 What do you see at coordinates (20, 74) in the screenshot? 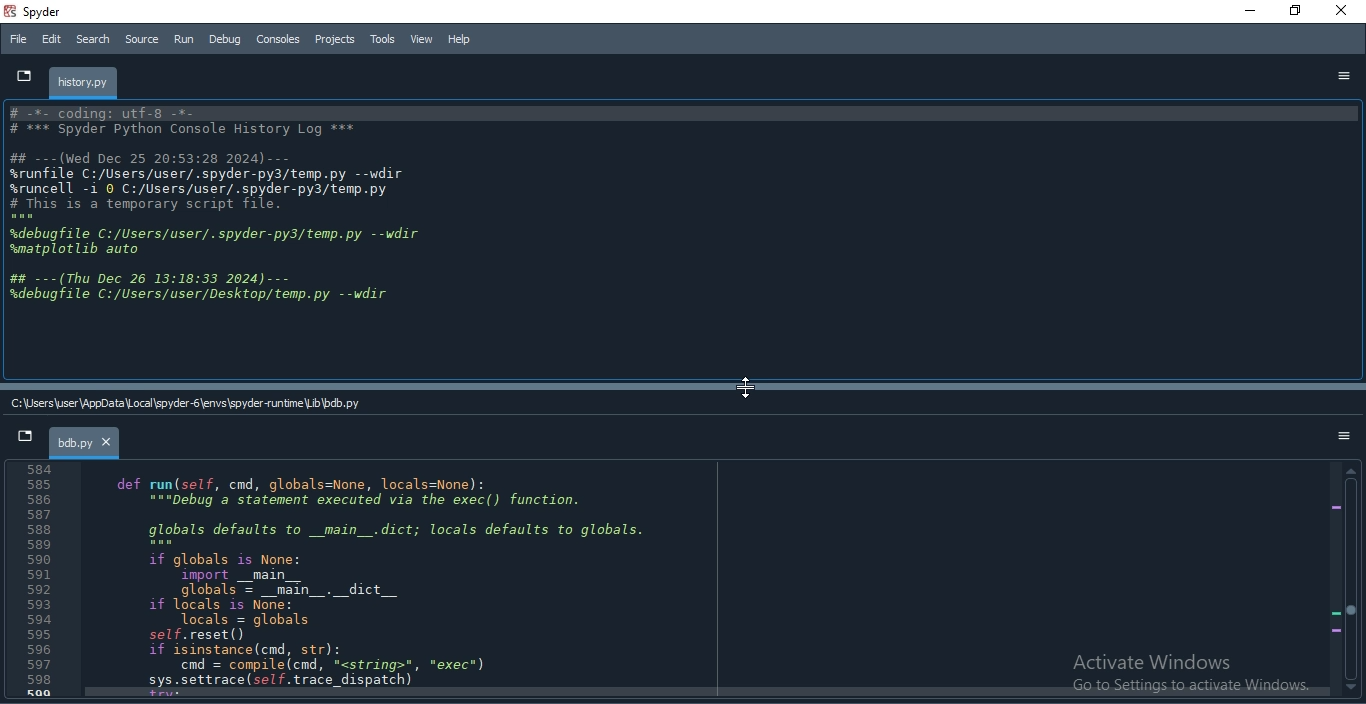
I see `dropdown` at bounding box center [20, 74].